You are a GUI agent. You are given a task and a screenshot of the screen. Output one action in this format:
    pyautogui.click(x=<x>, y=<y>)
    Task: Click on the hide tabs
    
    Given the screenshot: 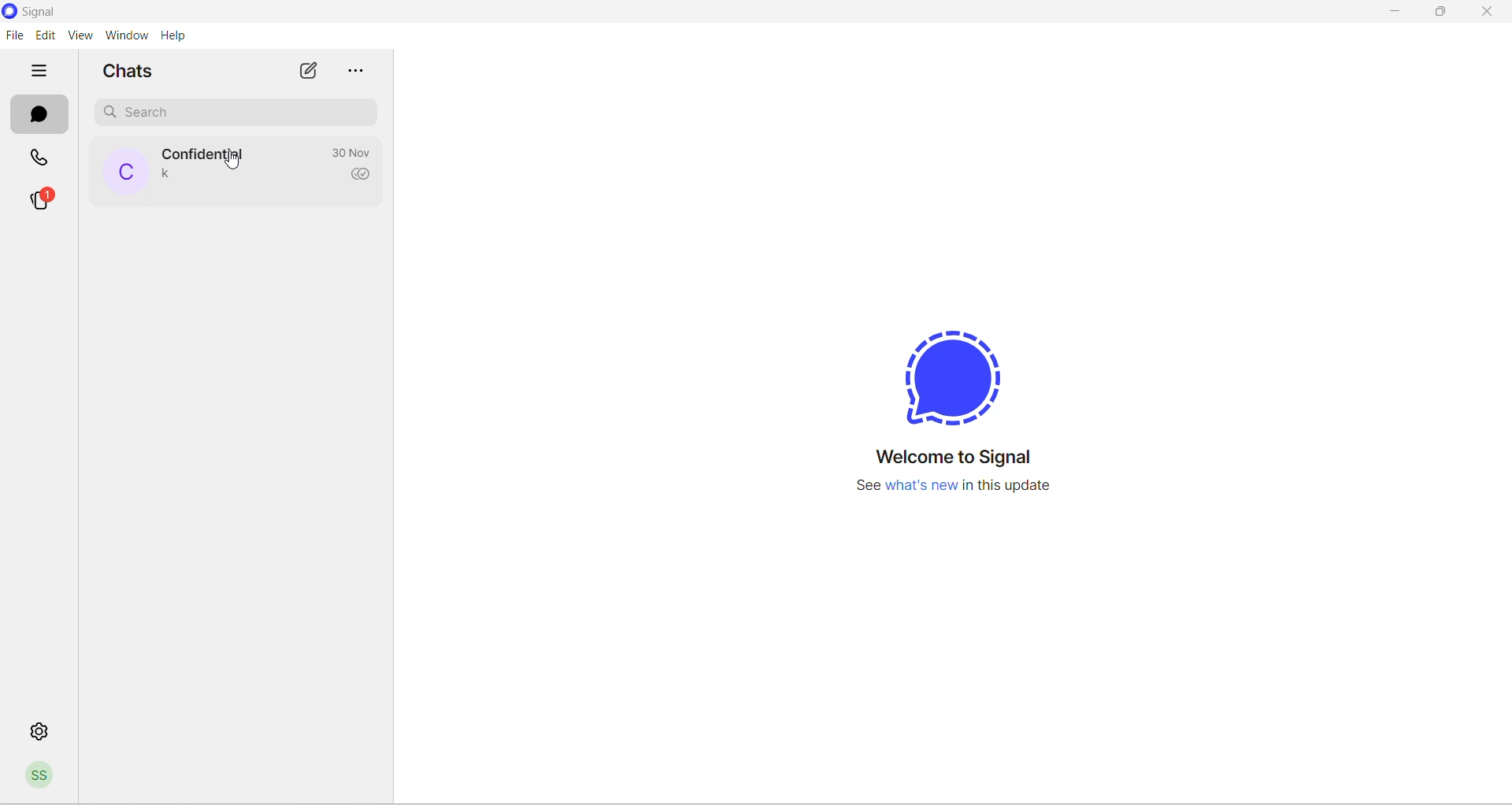 What is the action you would take?
    pyautogui.click(x=36, y=69)
    